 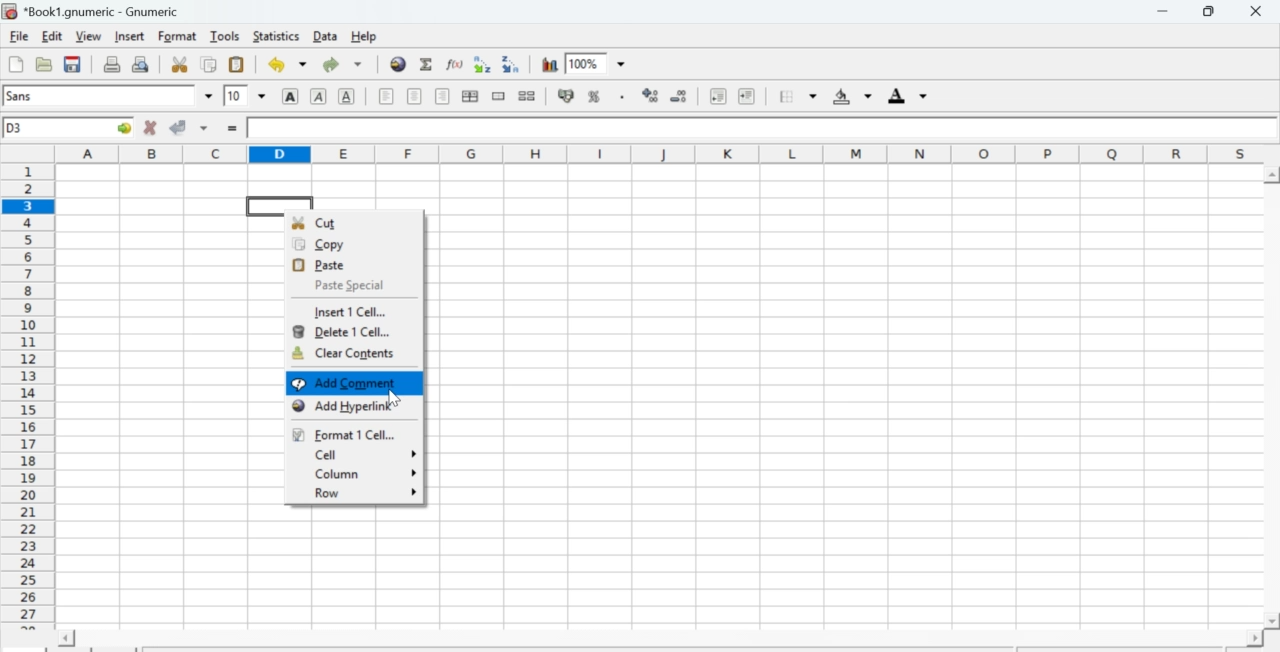 What do you see at coordinates (110, 64) in the screenshot?
I see `Print` at bounding box center [110, 64].